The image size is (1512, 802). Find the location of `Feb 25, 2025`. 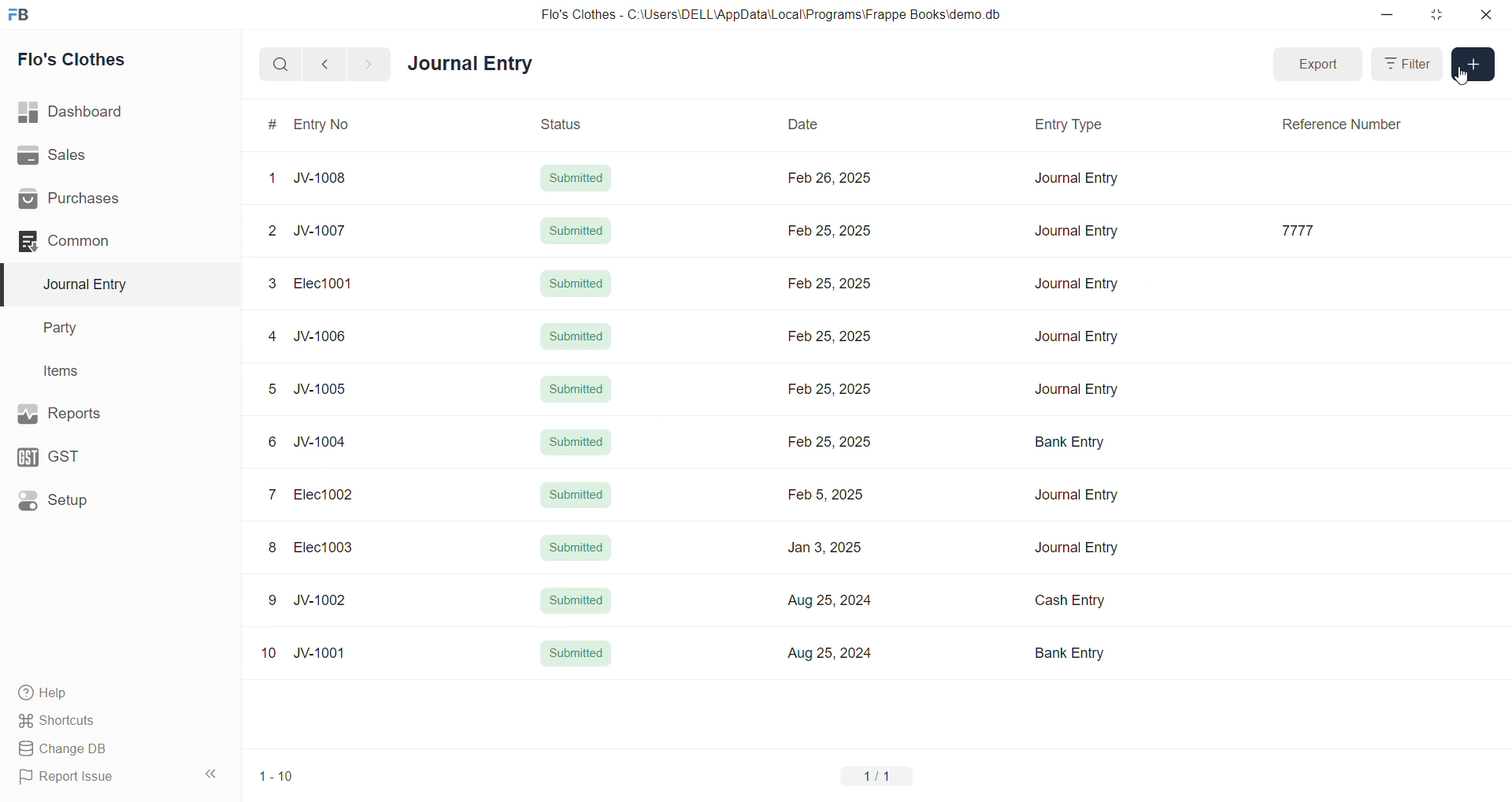

Feb 25, 2025 is located at coordinates (830, 285).